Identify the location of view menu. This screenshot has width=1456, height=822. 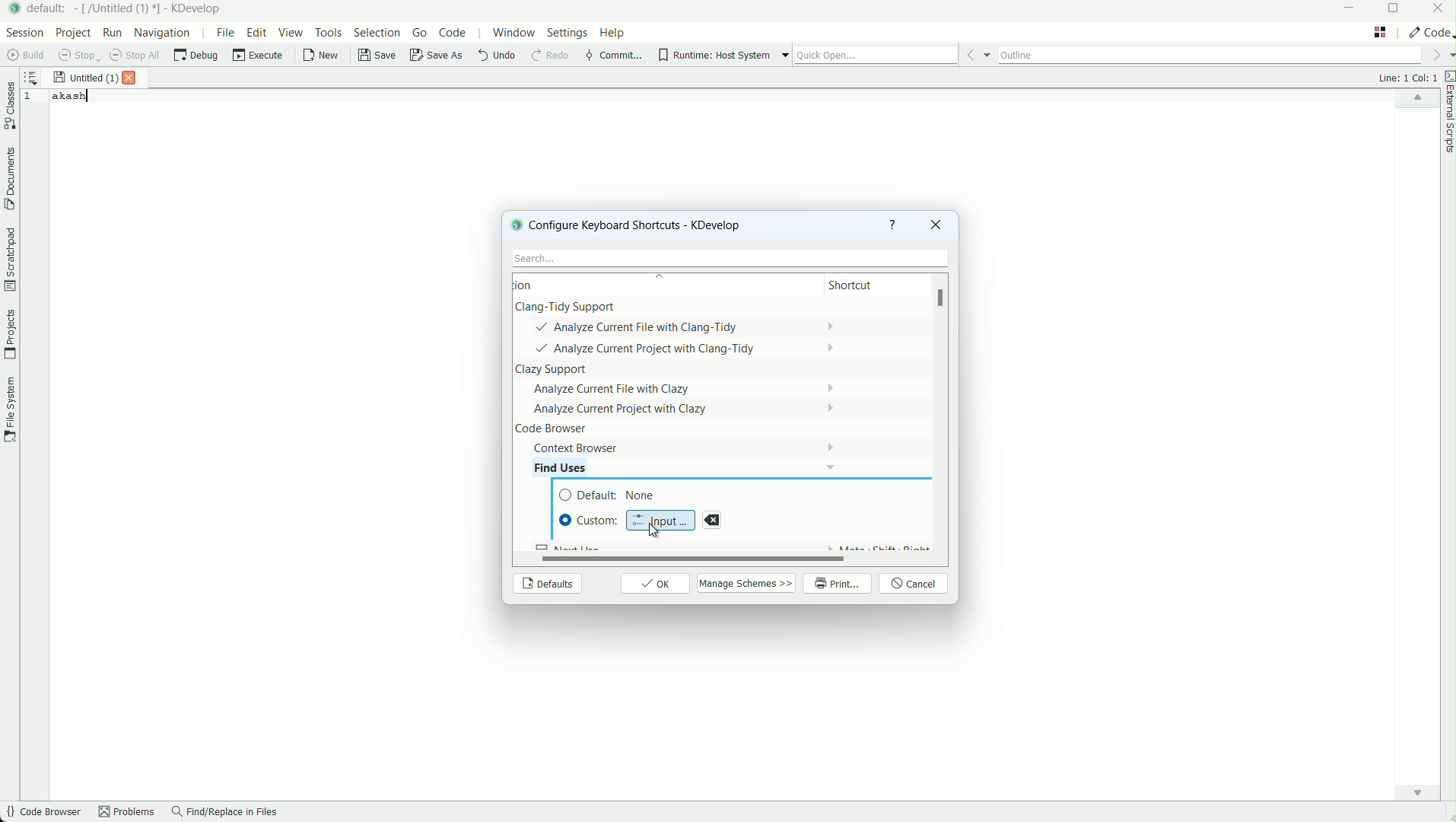
(293, 33).